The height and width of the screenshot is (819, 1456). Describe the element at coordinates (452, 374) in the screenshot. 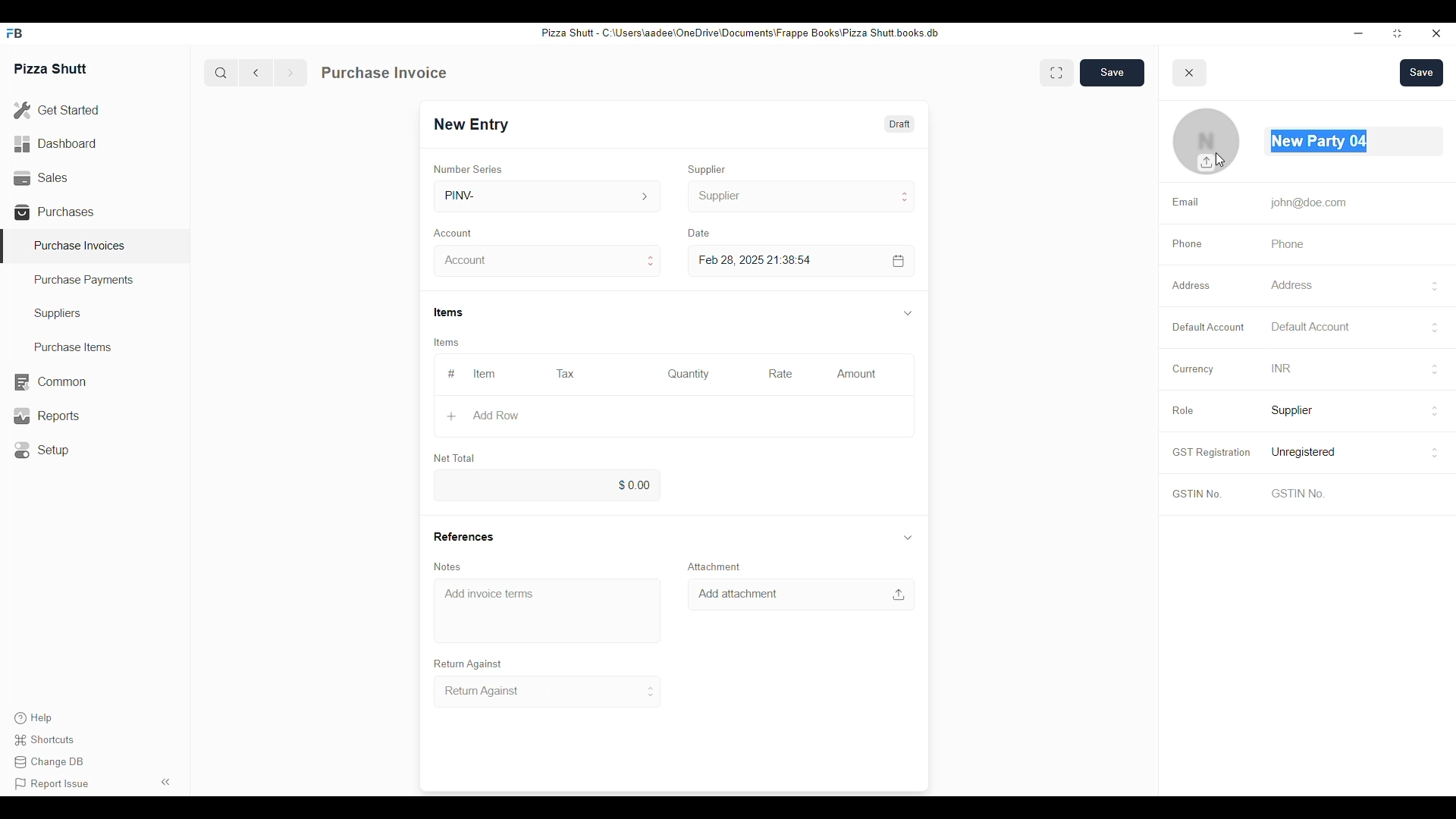

I see `#` at that location.